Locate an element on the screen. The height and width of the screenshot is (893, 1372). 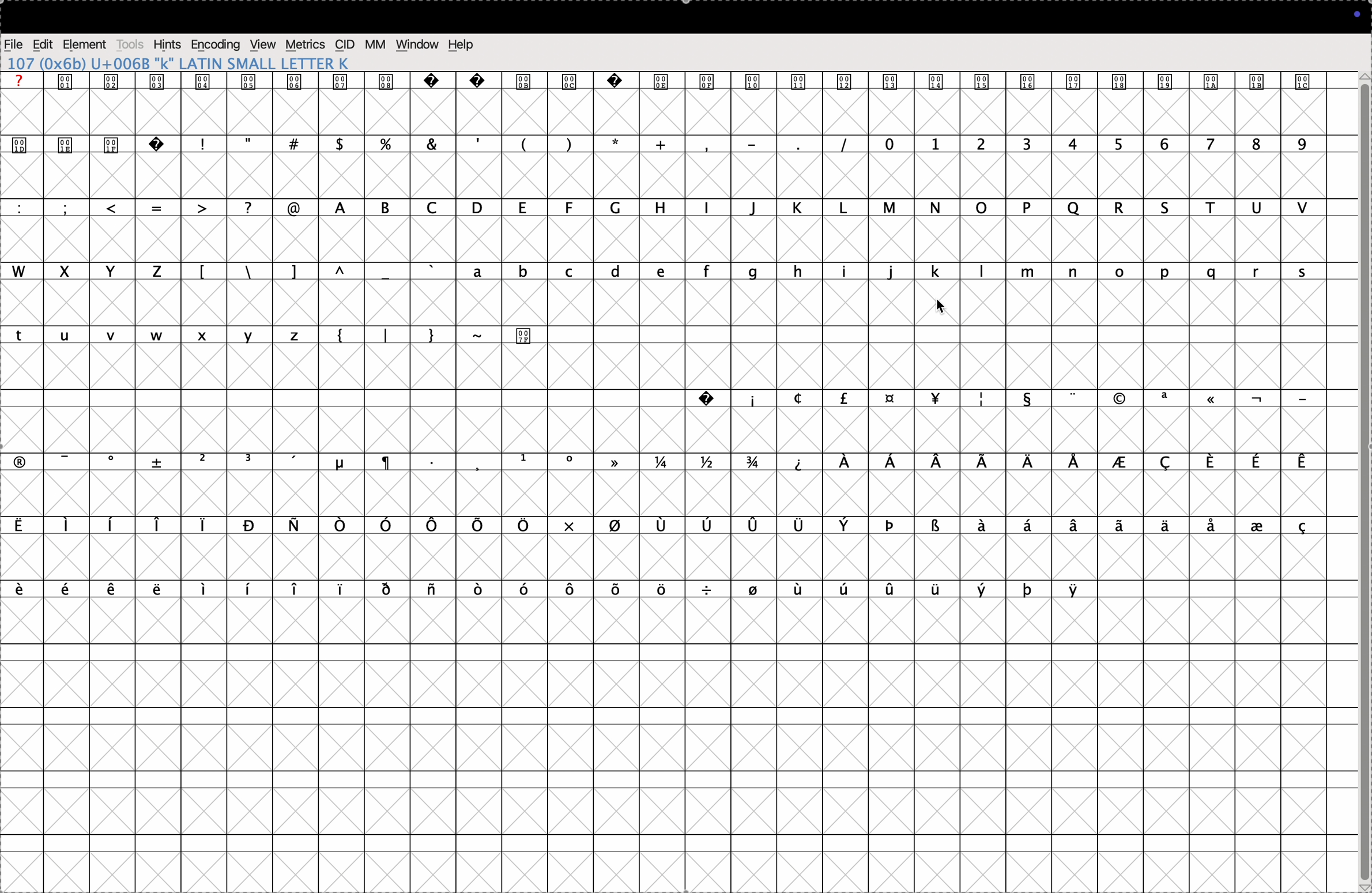
symbol list of you is located at coordinates (934, 587).